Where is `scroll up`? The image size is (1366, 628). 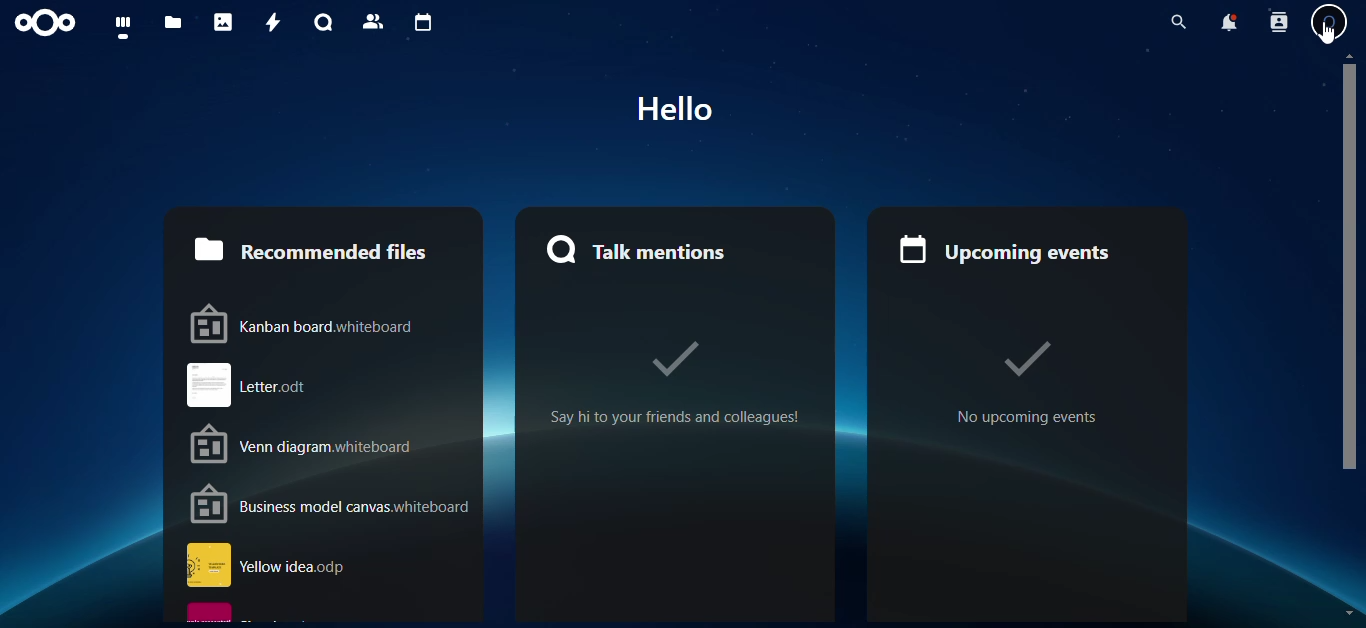 scroll up is located at coordinates (1349, 55).